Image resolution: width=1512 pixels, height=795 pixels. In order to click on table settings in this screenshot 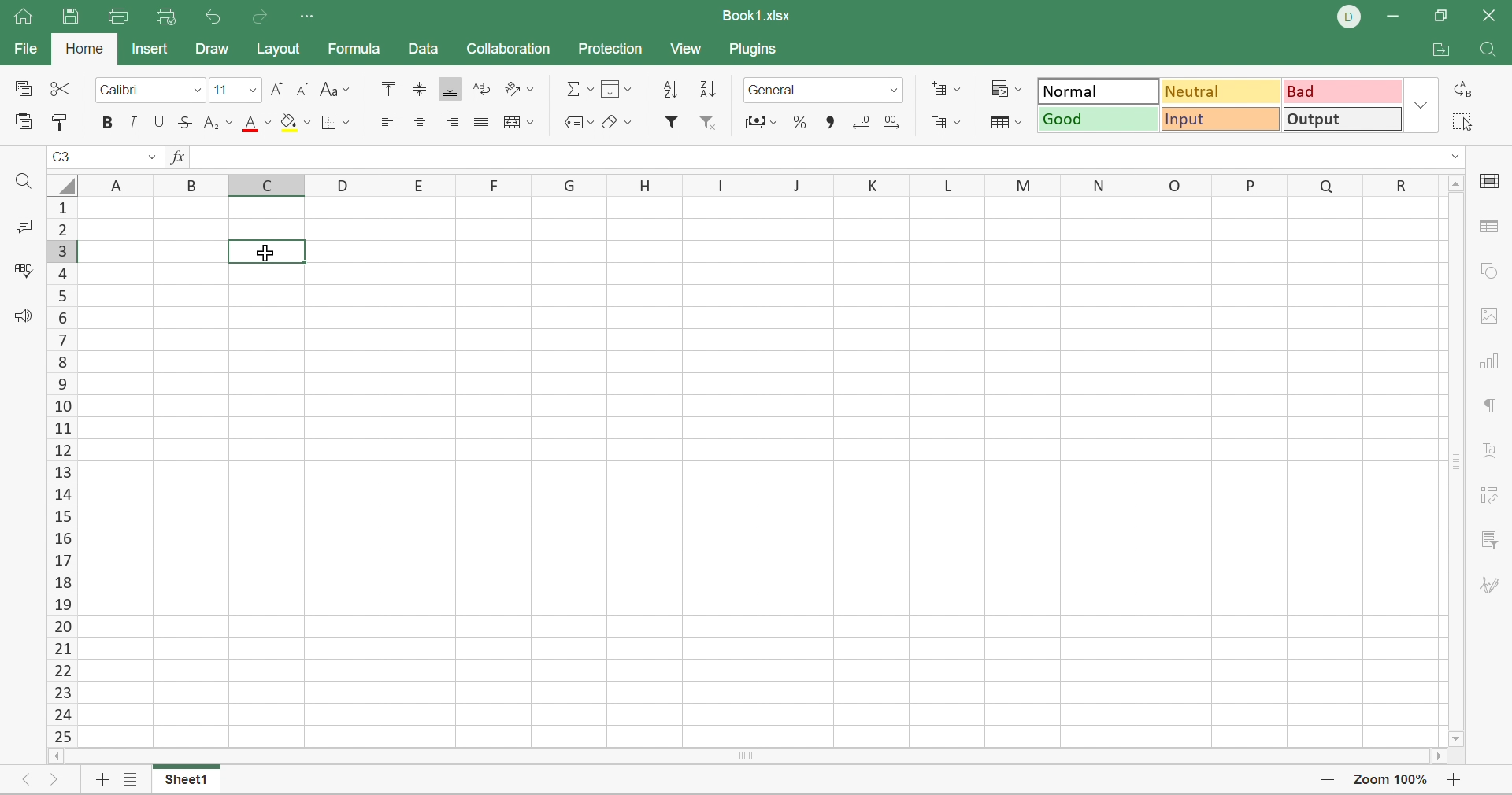, I will do `click(1490, 227)`.